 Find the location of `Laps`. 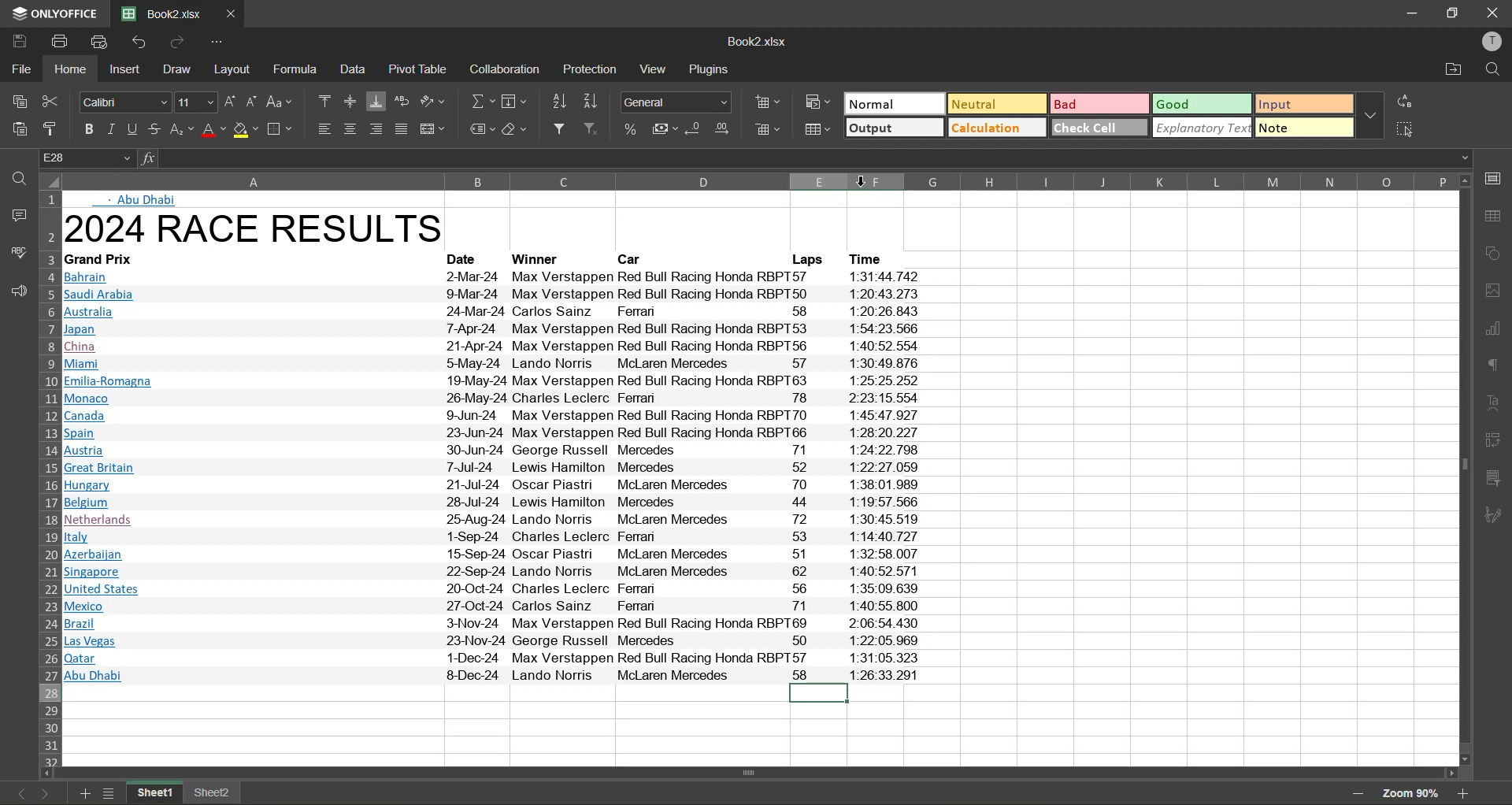

Laps is located at coordinates (805, 259).